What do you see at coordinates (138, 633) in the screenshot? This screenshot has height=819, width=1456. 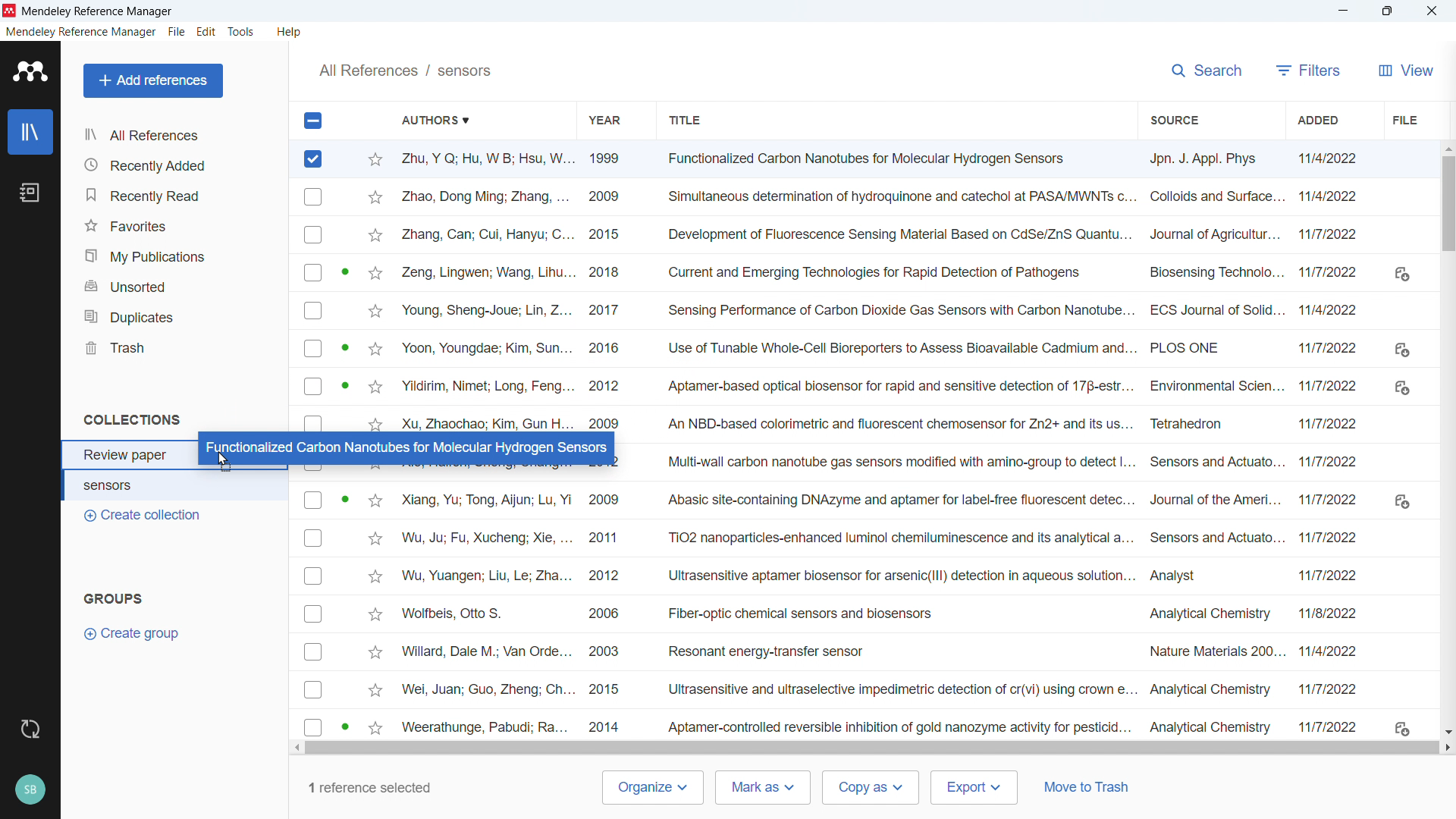 I see `Create groups ` at bounding box center [138, 633].